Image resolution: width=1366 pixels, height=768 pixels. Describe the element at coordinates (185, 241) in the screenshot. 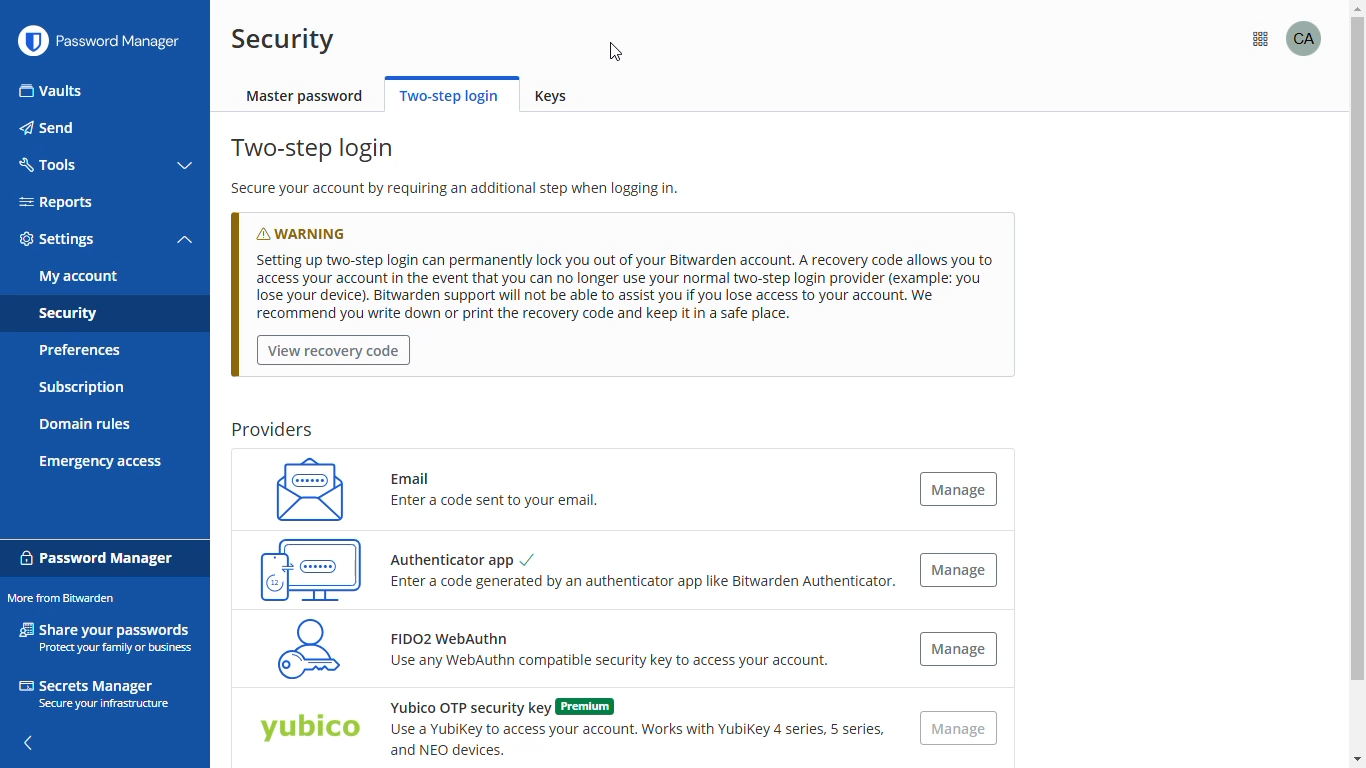

I see `toggle collapse` at that location.